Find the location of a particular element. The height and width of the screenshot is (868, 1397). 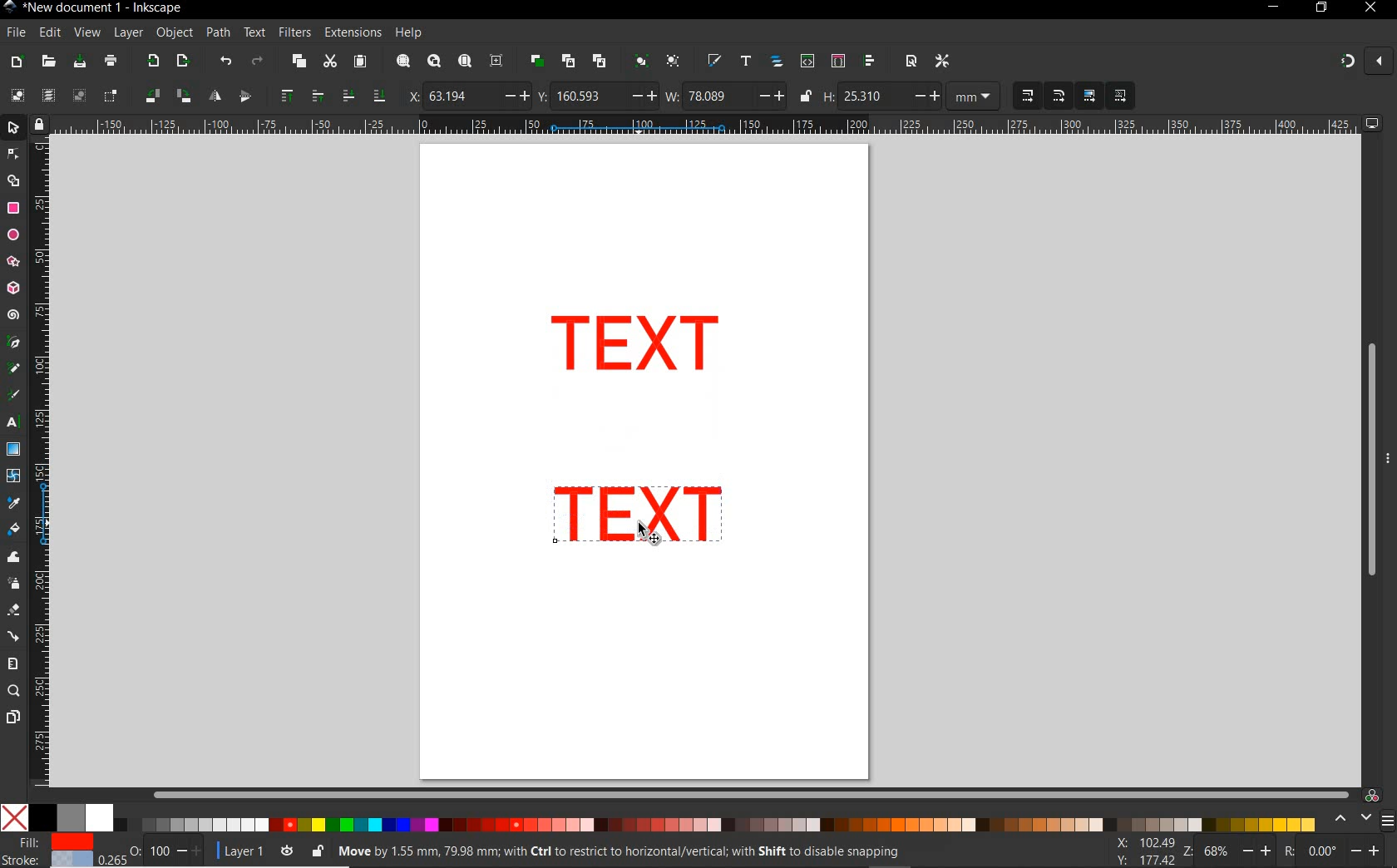

Arrow is located at coordinates (15, 167).